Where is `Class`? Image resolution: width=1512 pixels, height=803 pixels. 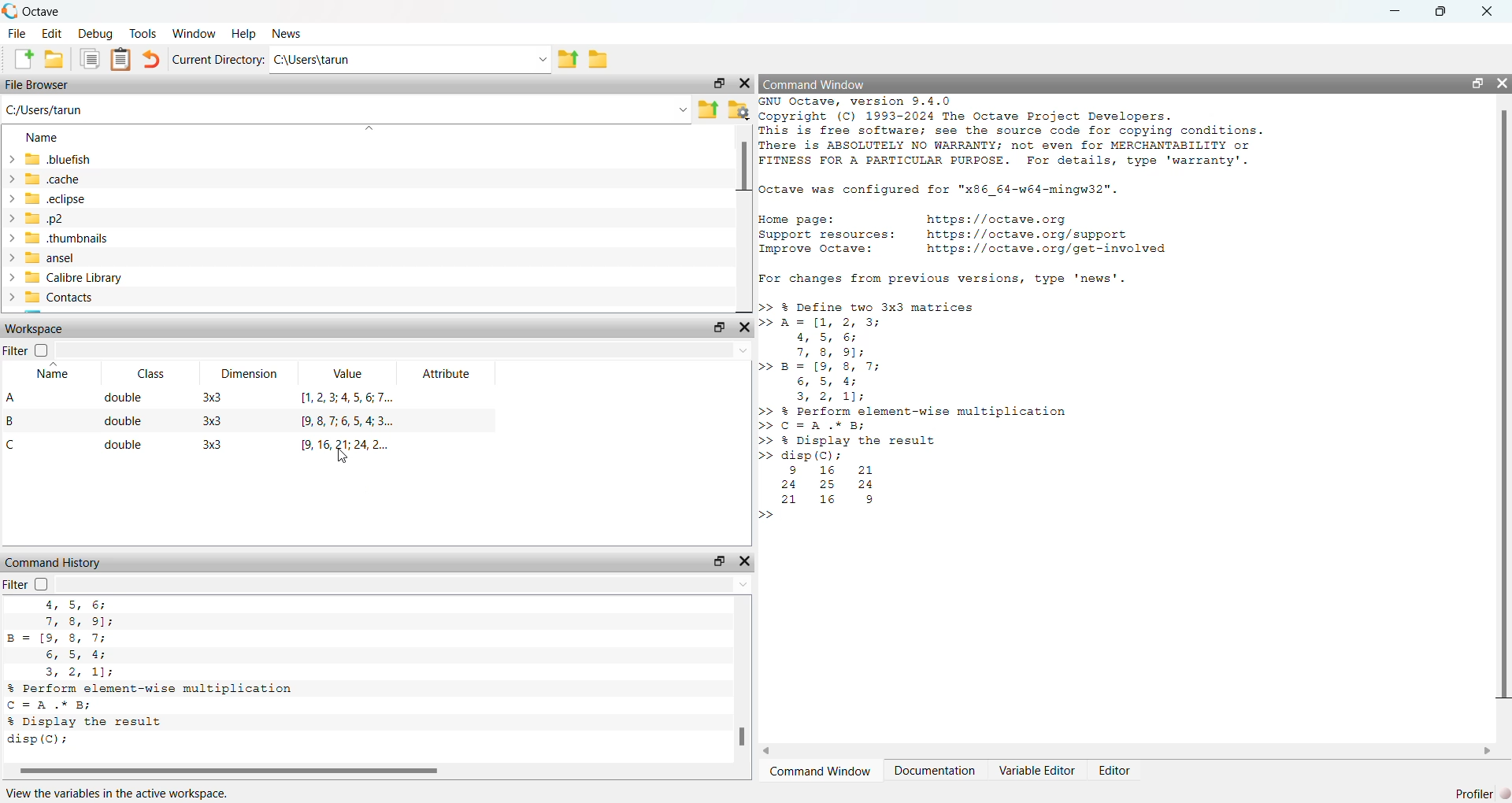
Class is located at coordinates (153, 373).